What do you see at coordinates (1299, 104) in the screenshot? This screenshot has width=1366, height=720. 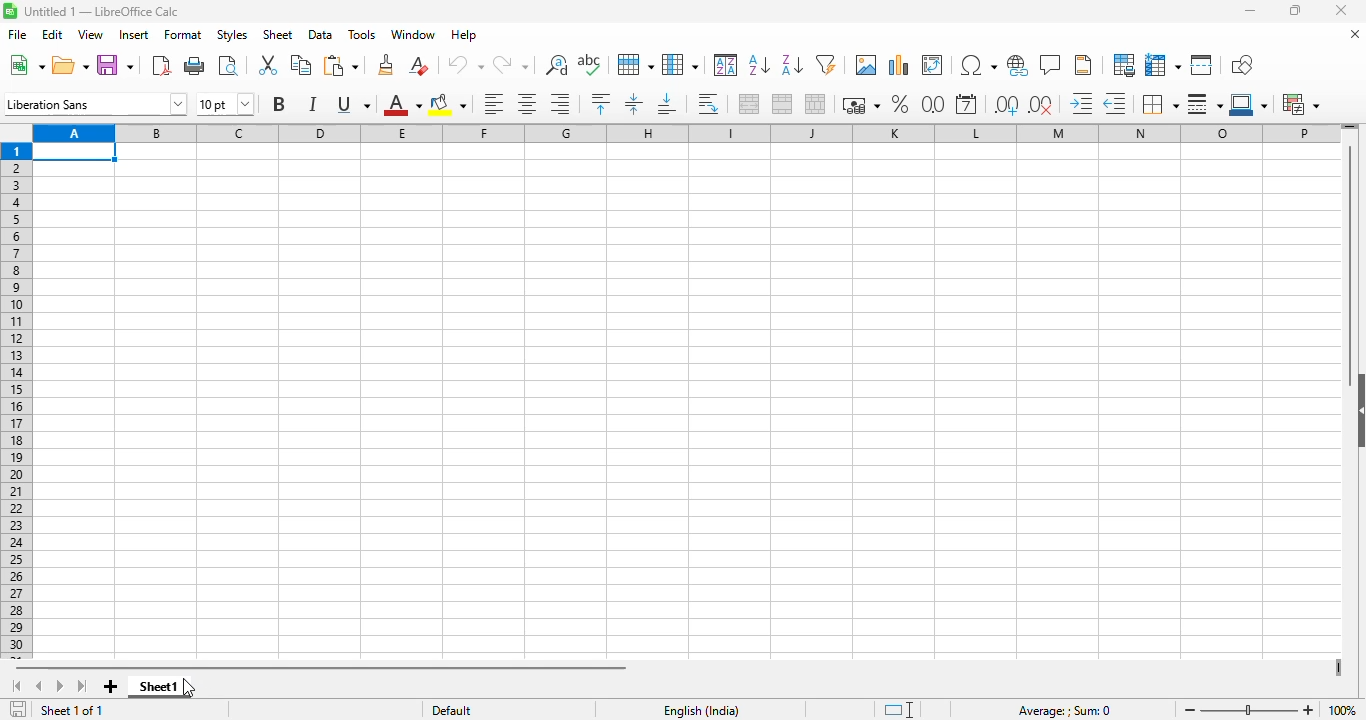 I see `conditional` at bounding box center [1299, 104].